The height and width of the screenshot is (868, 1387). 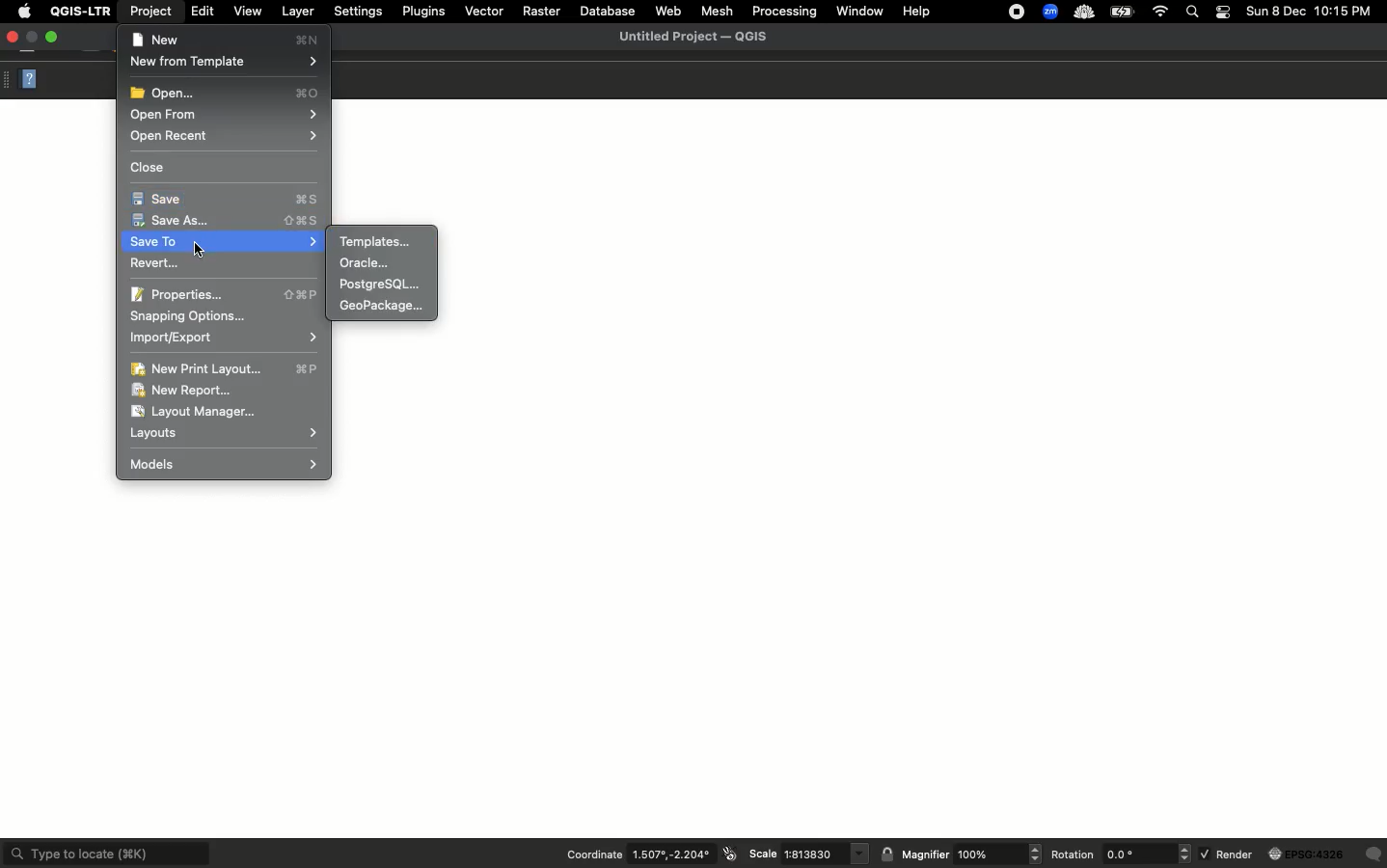 What do you see at coordinates (226, 294) in the screenshot?
I see `Properties ` at bounding box center [226, 294].